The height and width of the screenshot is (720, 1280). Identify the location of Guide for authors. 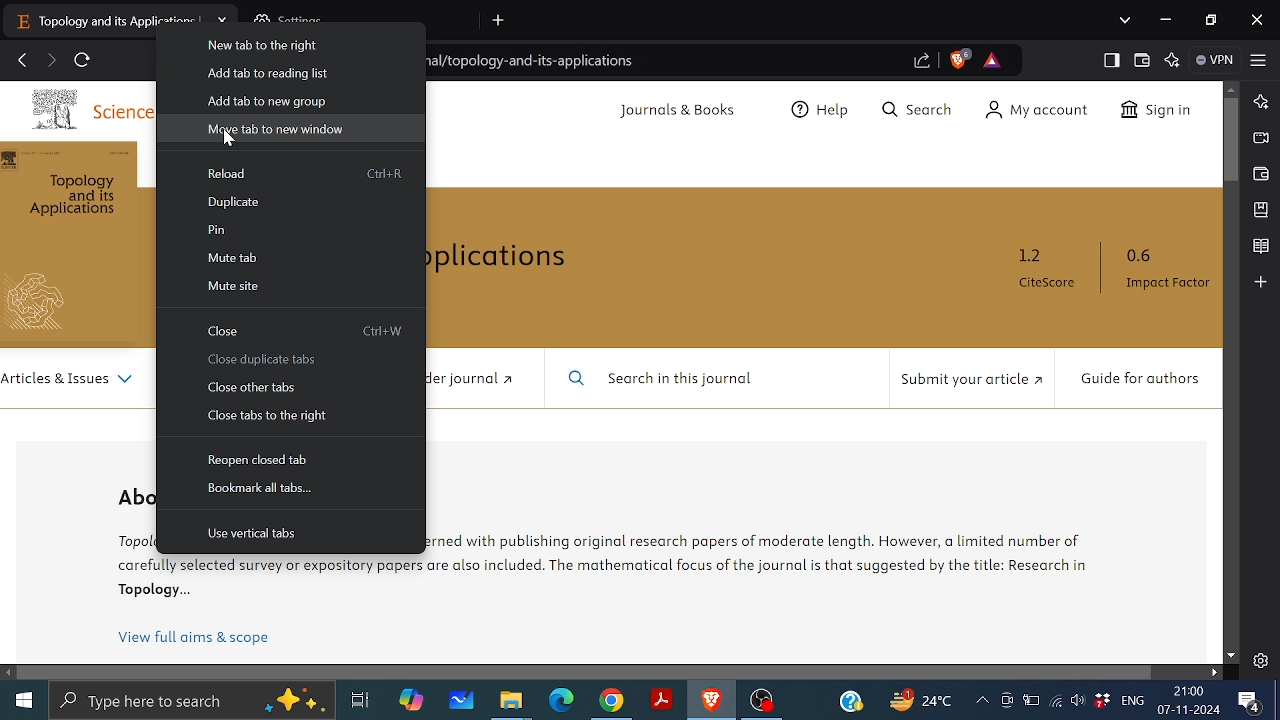
(1137, 378).